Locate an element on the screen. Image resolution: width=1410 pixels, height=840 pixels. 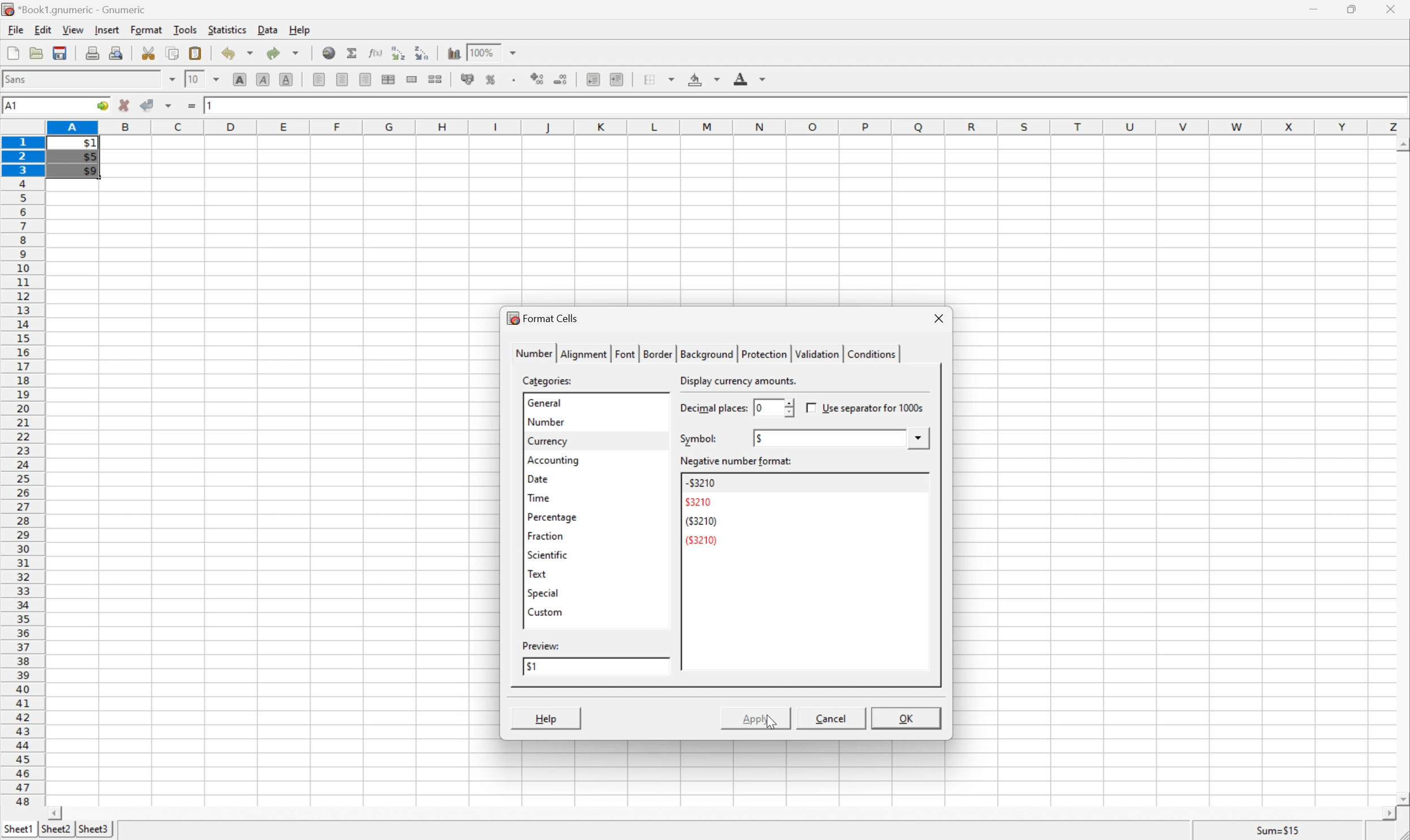
edit function in current cell is located at coordinates (377, 52).